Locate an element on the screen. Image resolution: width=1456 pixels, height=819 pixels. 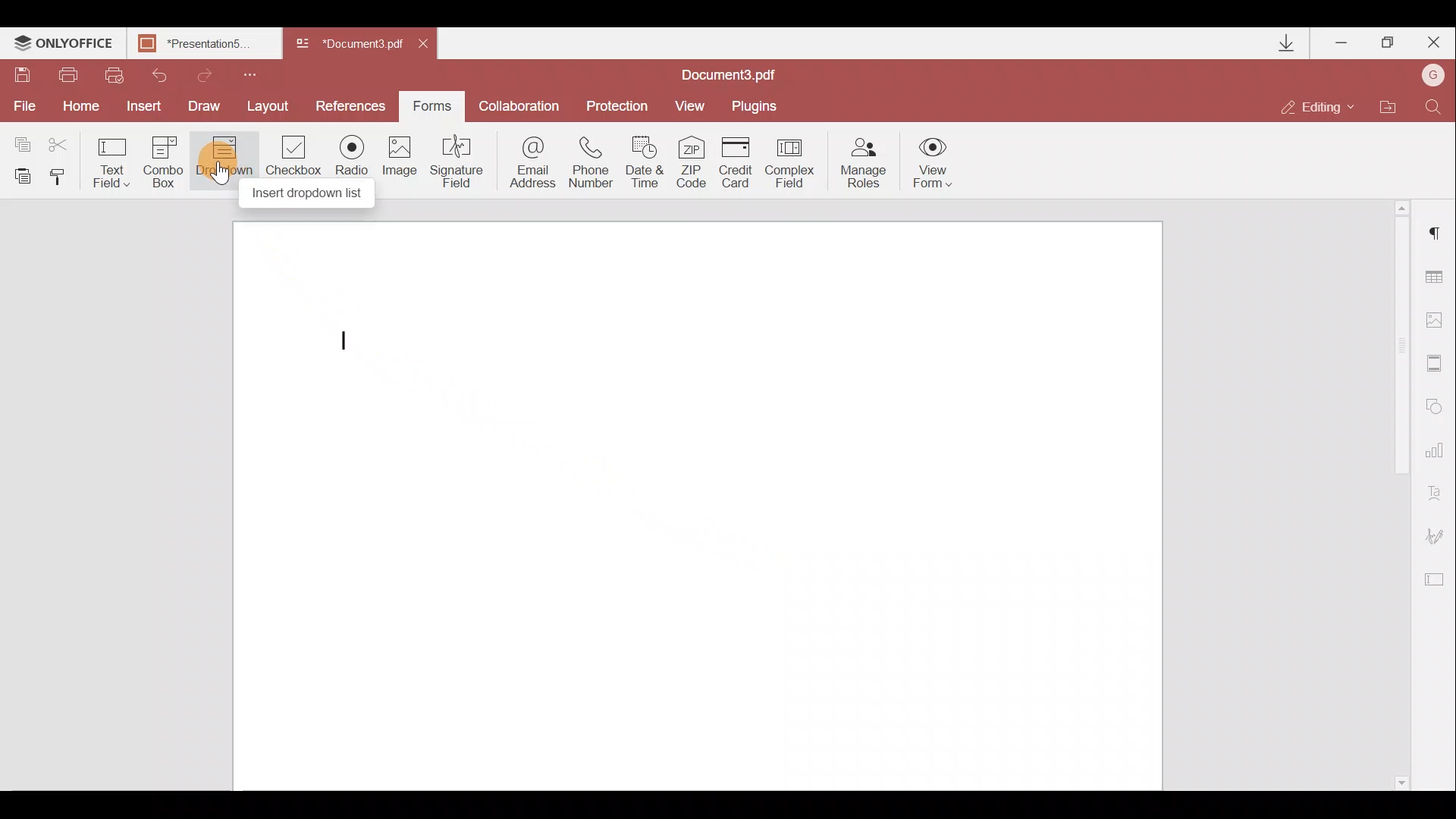
Forms is located at coordinates (432, 106).